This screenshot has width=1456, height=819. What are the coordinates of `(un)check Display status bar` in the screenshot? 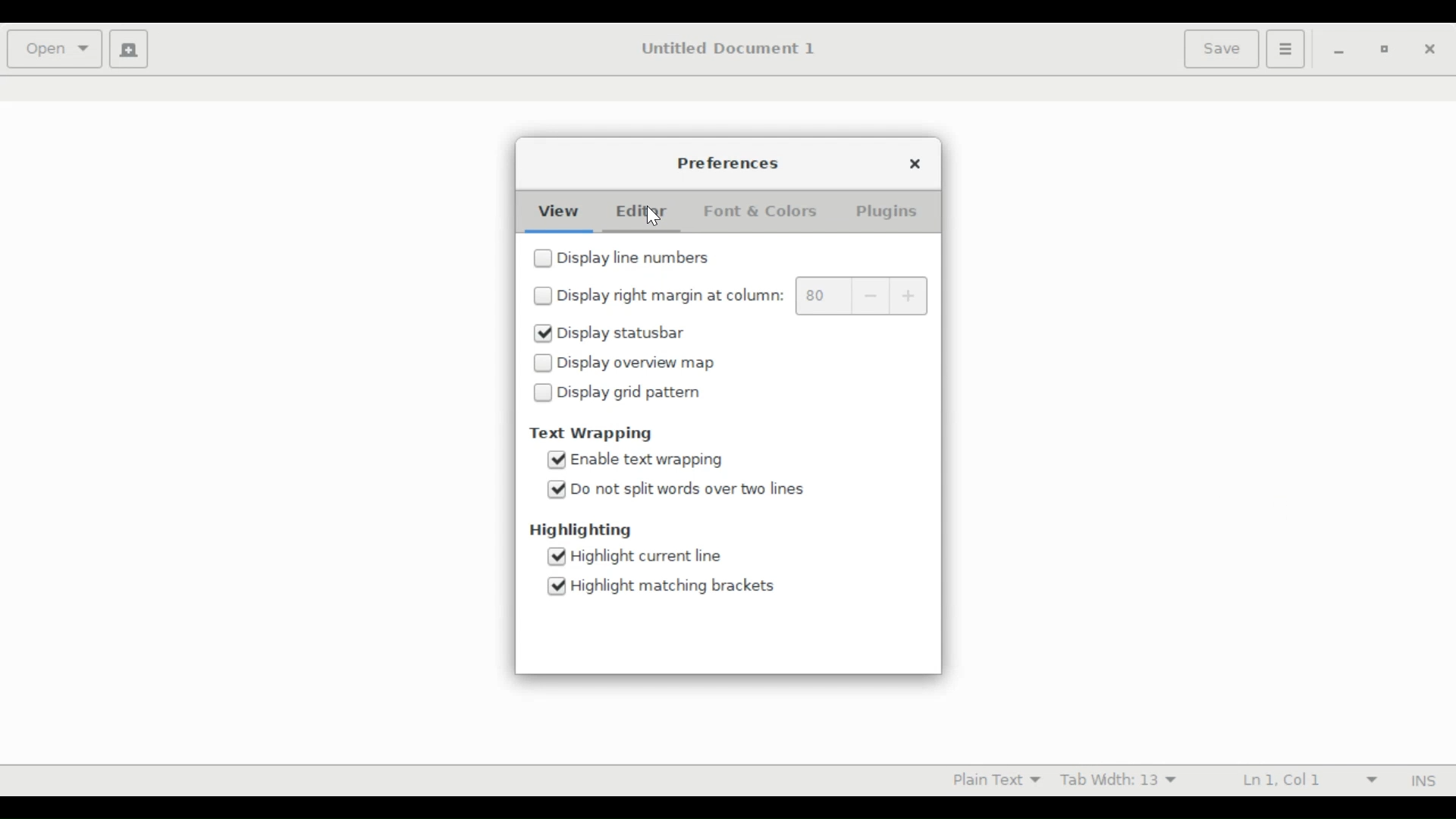 It's located at (633, 334).